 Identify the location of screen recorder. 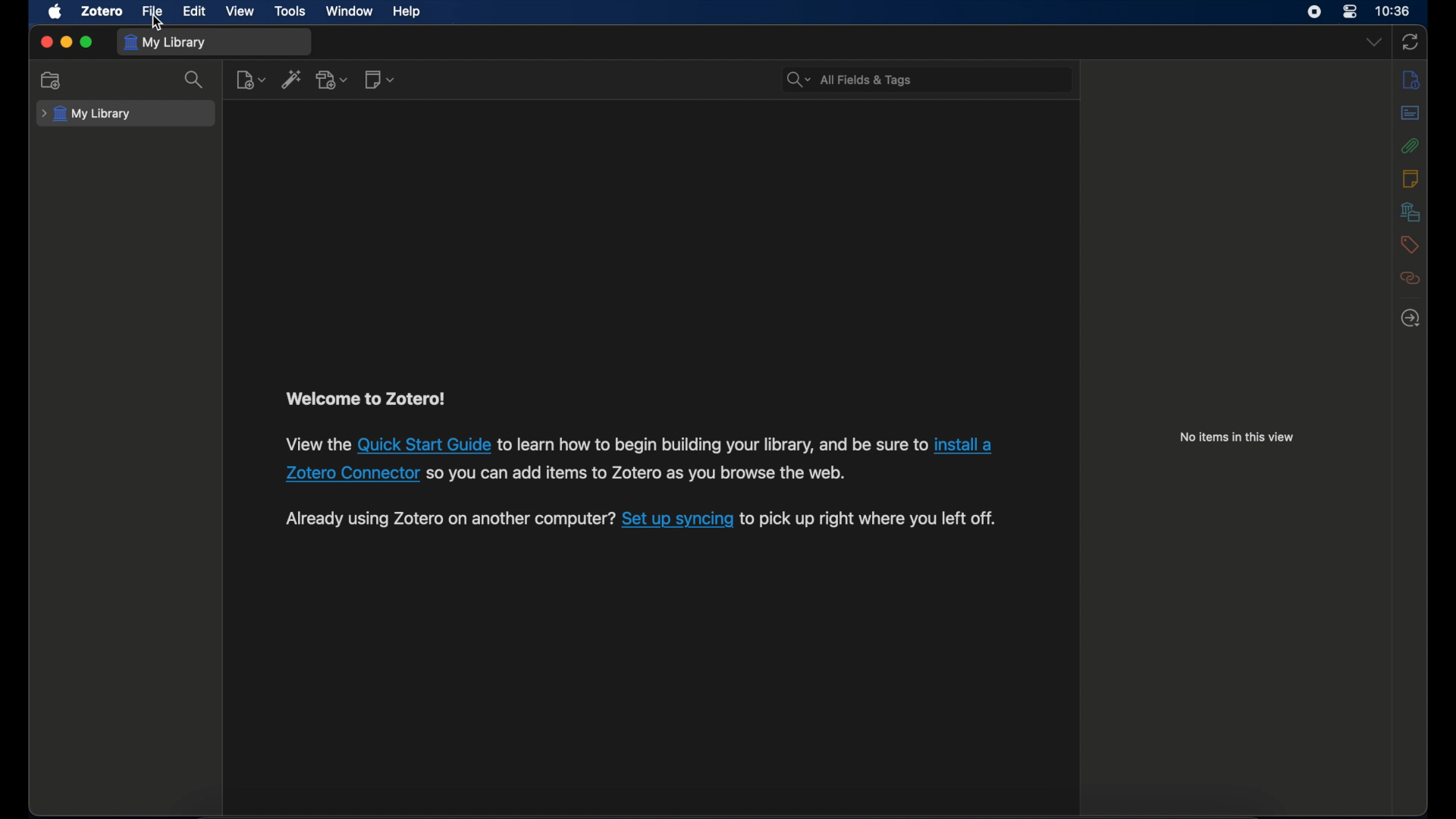
(1313, 12).